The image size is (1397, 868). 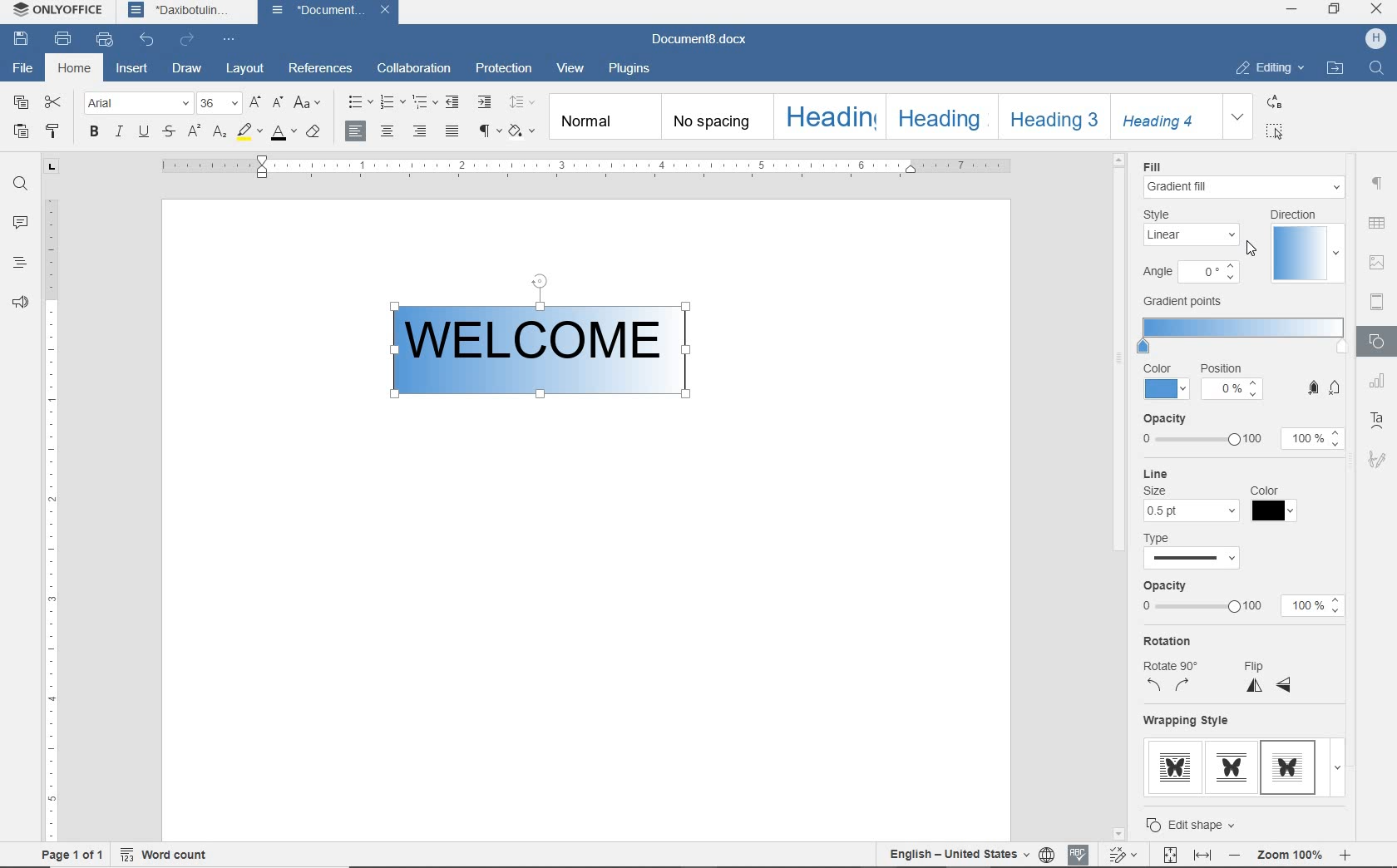 I want to click on NO SPACING, so click(x=720, y=116).